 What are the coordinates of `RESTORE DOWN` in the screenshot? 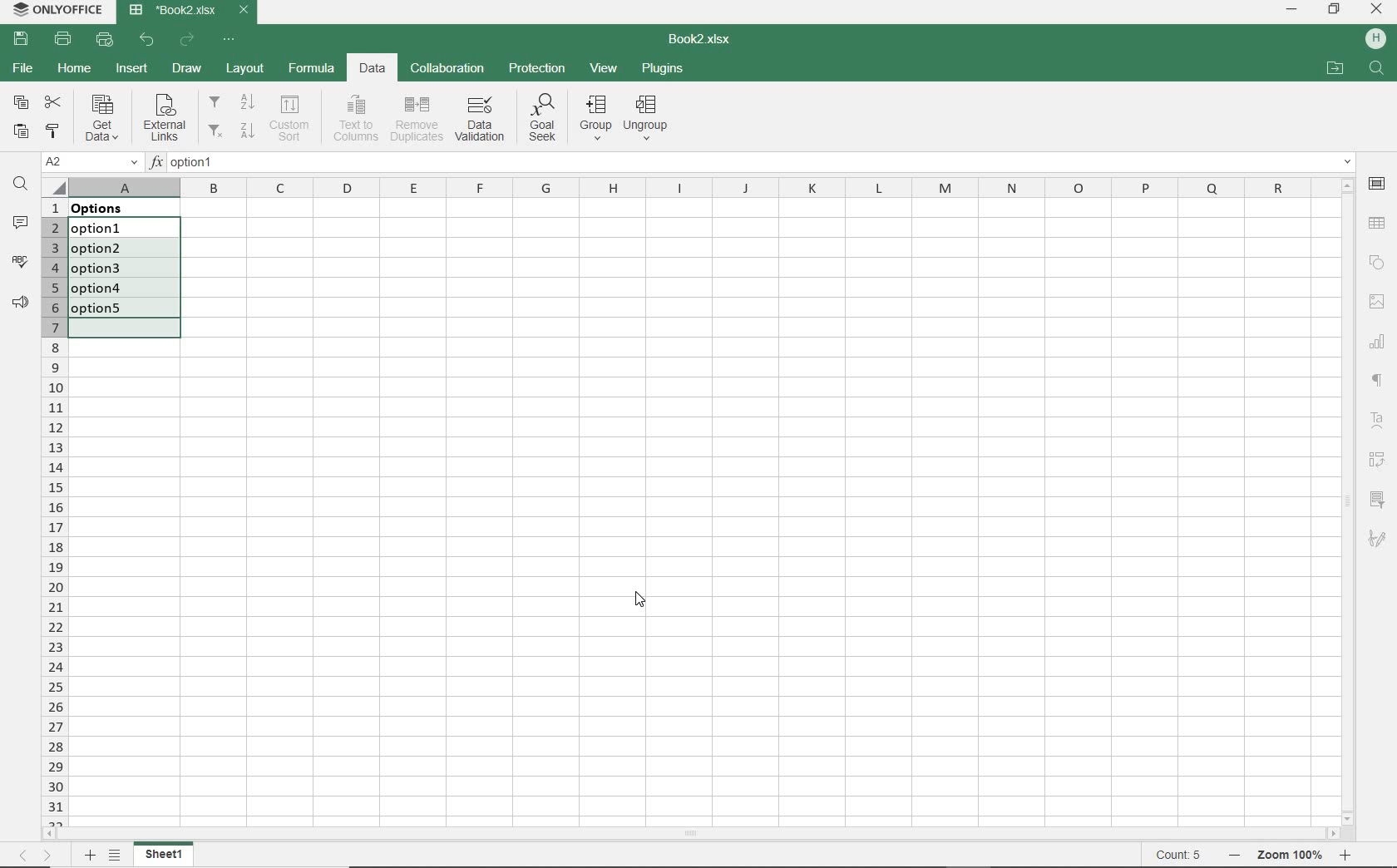 It's located at (1335, 11).